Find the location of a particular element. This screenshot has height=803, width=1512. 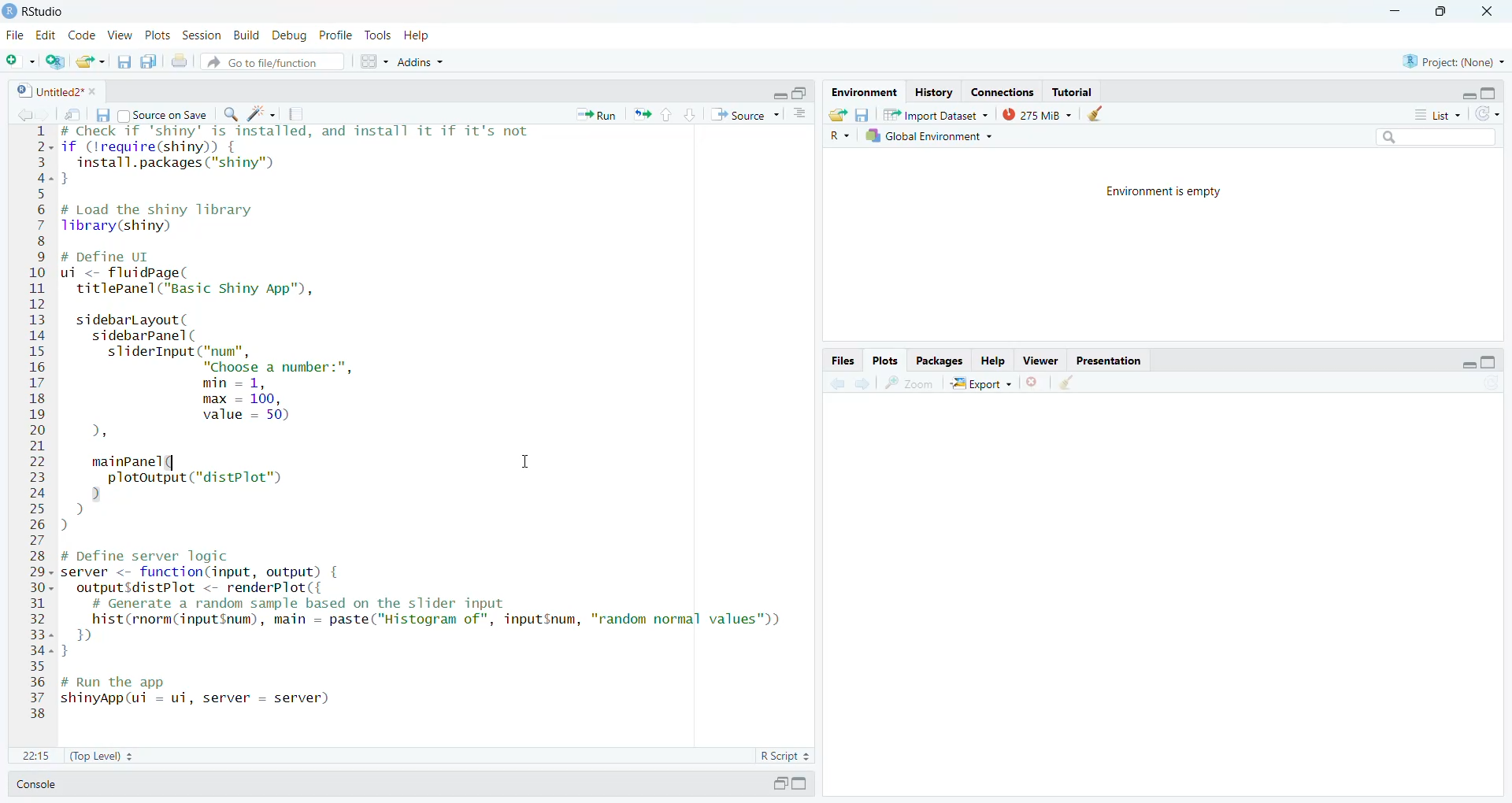

Build is located at coordinates (246, 35).